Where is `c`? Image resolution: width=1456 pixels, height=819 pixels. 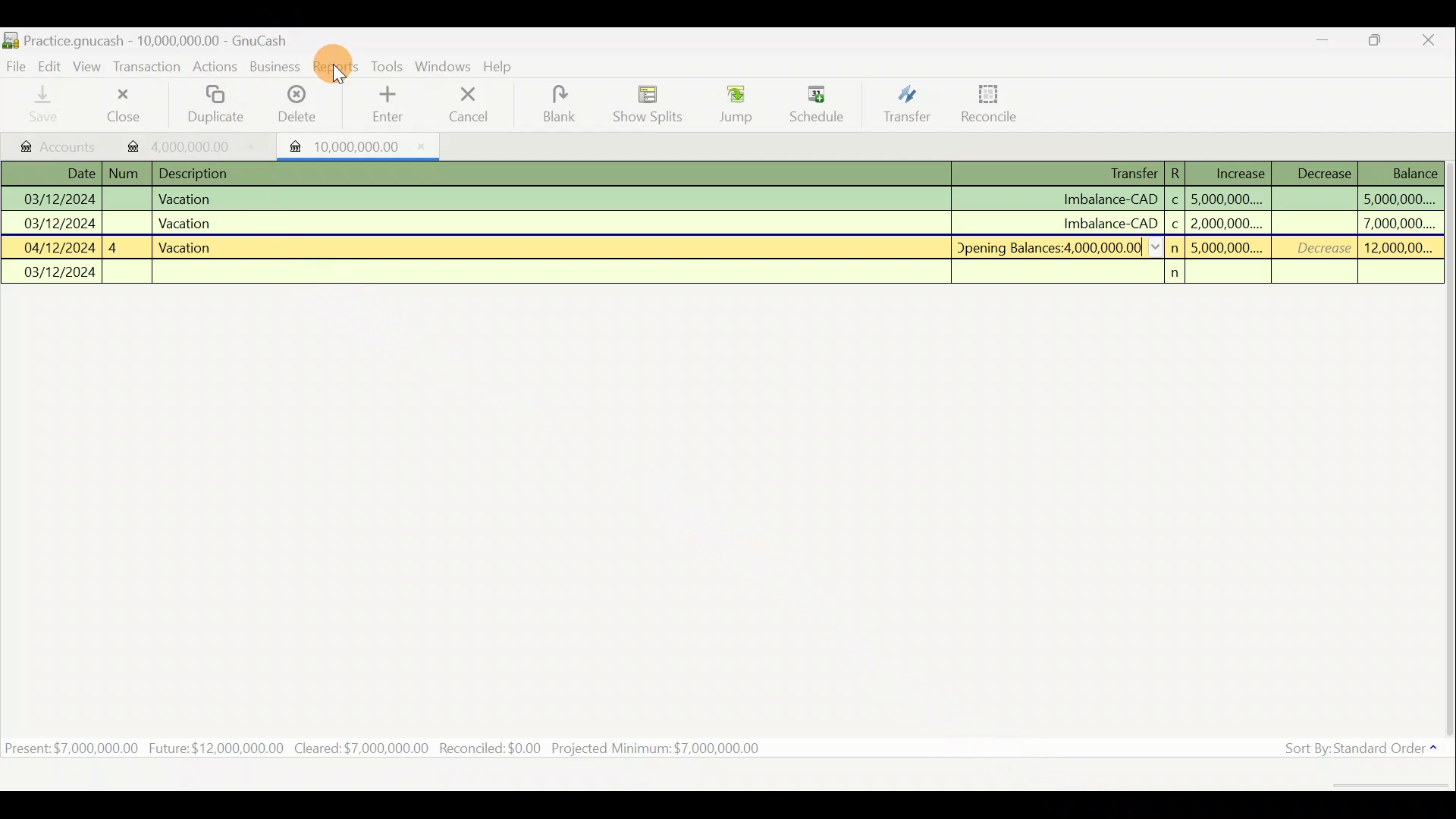
c is located at coordinates (1176, 224).